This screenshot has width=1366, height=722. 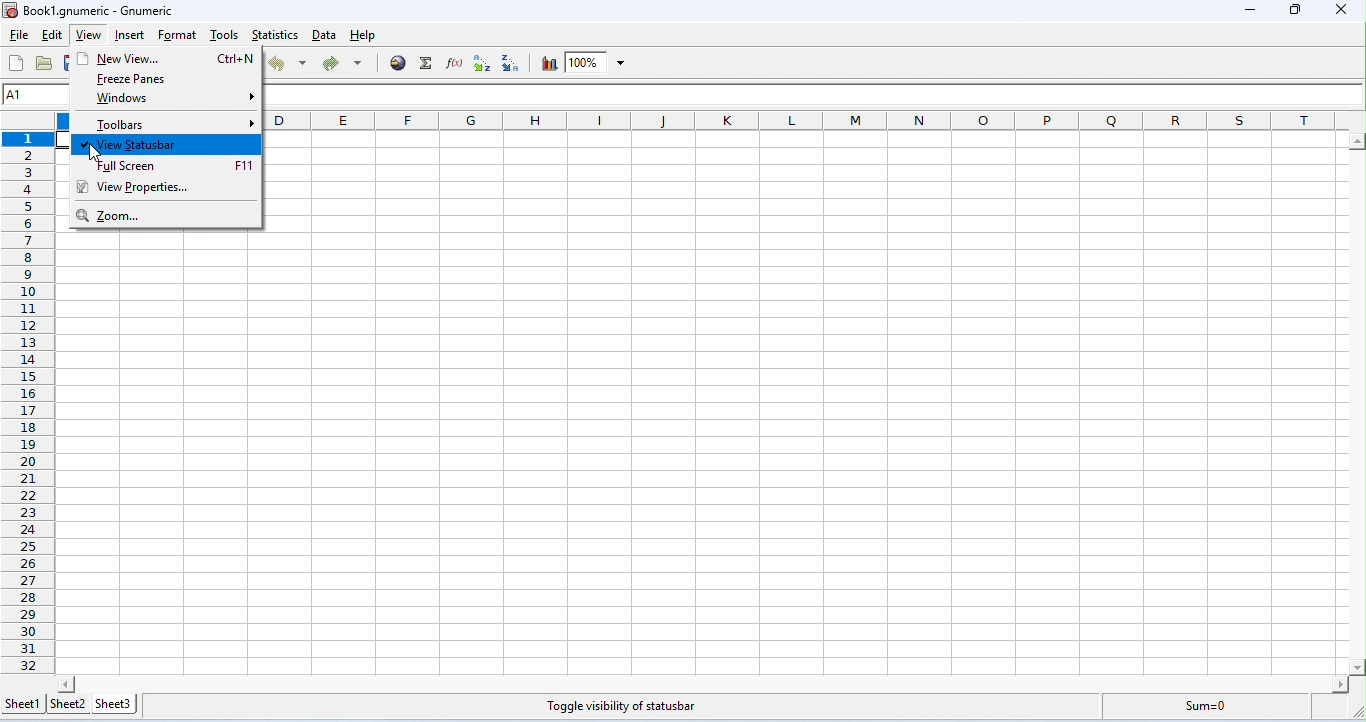 I want to click on sheet2, so click(x=67, y=706).